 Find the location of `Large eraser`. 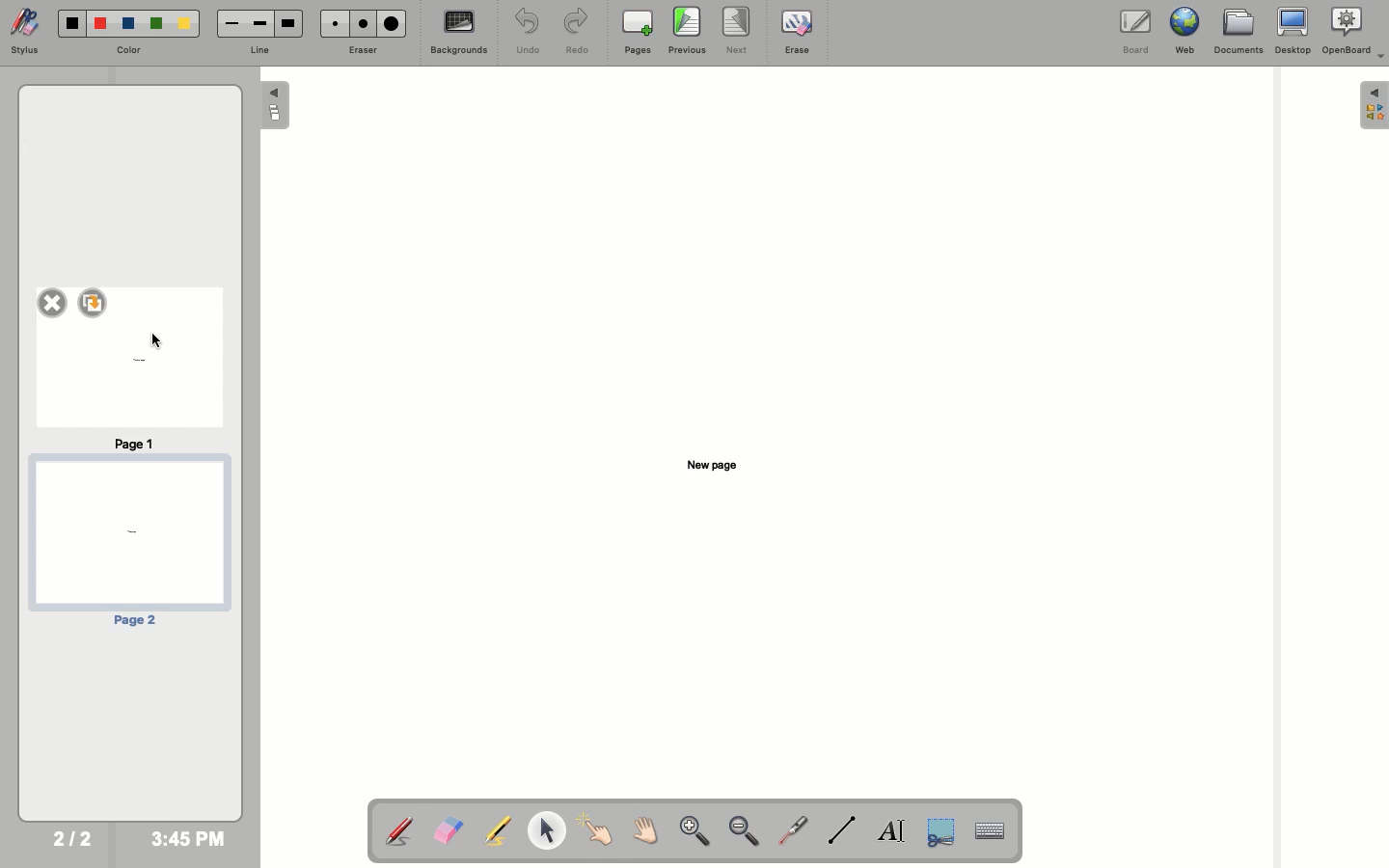

Large eraser is located at coordinates (391, 23).